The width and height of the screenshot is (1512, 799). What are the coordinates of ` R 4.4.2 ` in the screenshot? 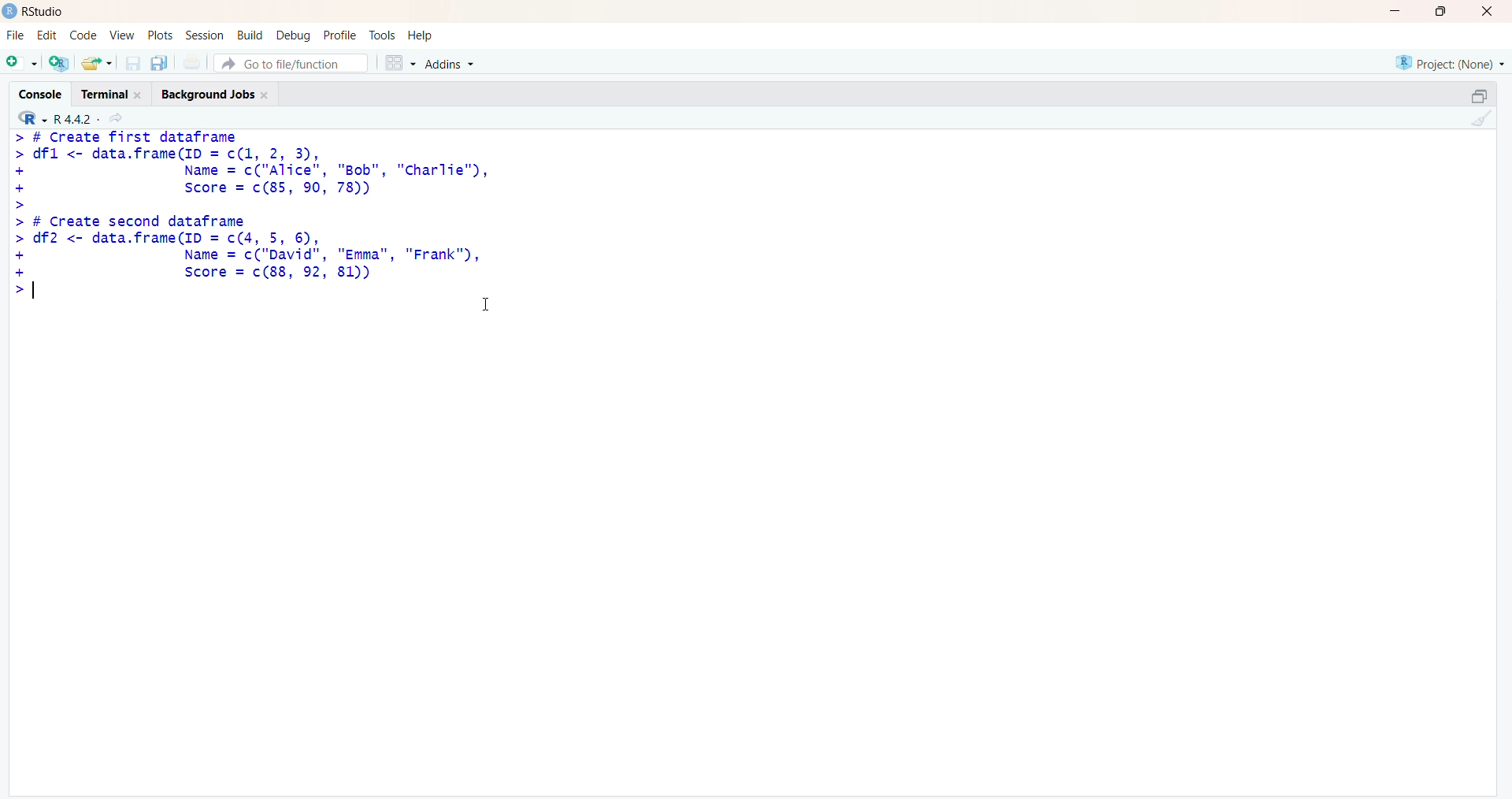 It's located at (57, 117).